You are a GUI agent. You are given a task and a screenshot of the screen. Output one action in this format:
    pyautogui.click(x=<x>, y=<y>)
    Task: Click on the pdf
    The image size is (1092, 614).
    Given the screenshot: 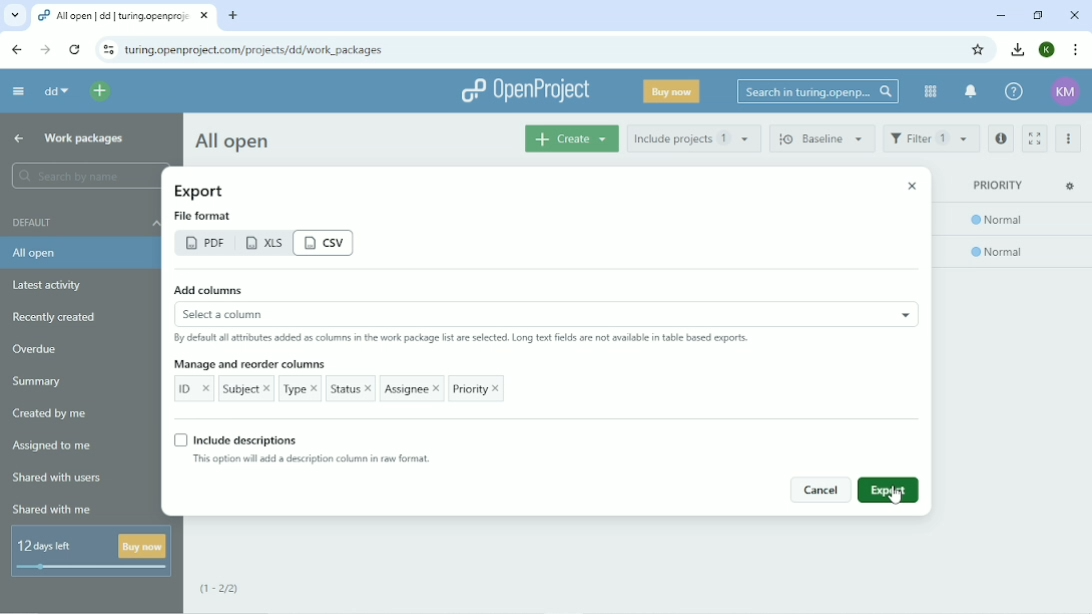 What is the action you would take?
    pyautogui.click(x=203, y=242)
    